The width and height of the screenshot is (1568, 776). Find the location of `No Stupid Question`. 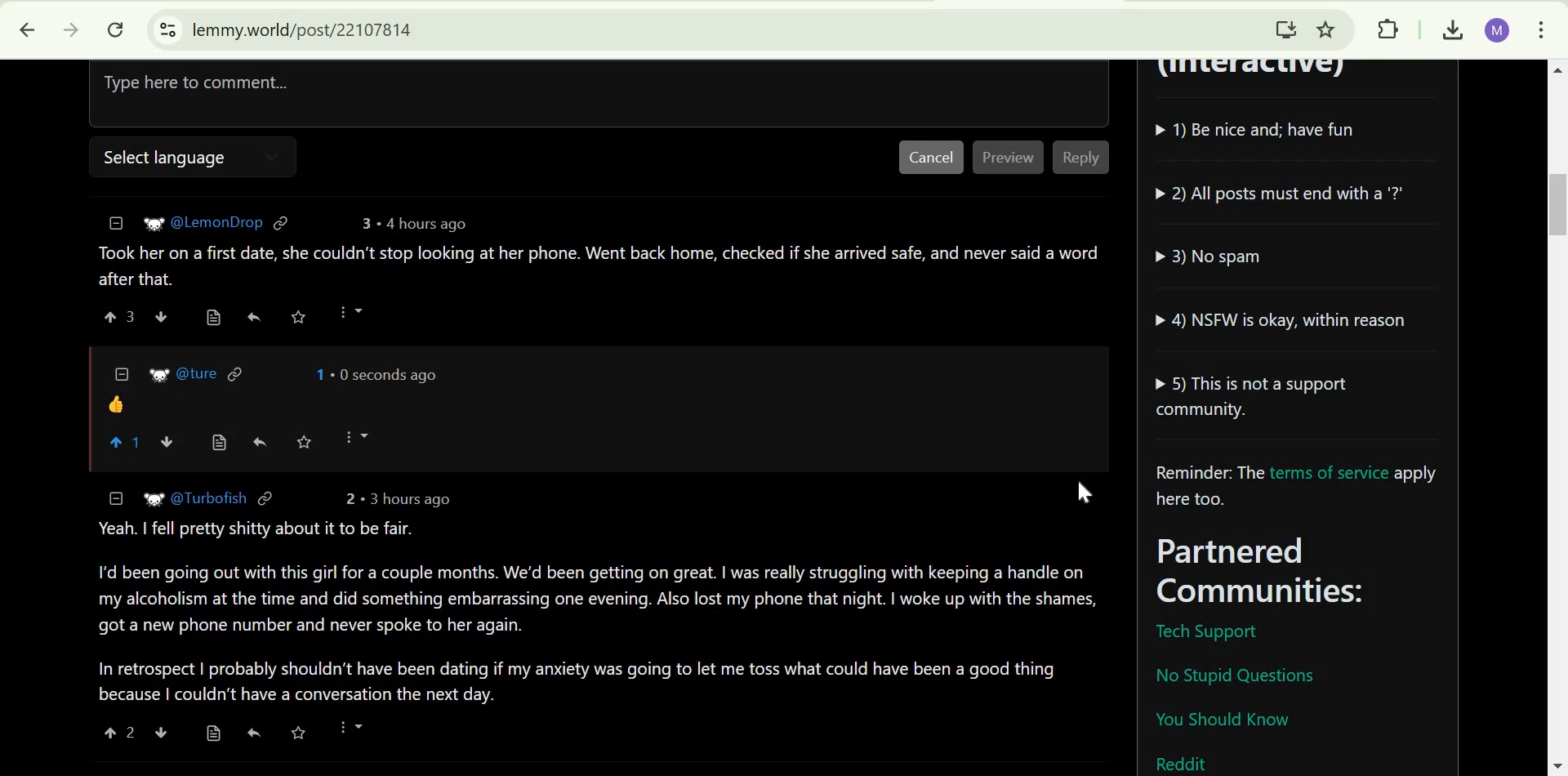

No Stupid Question is located at coordinates (1242, 674).